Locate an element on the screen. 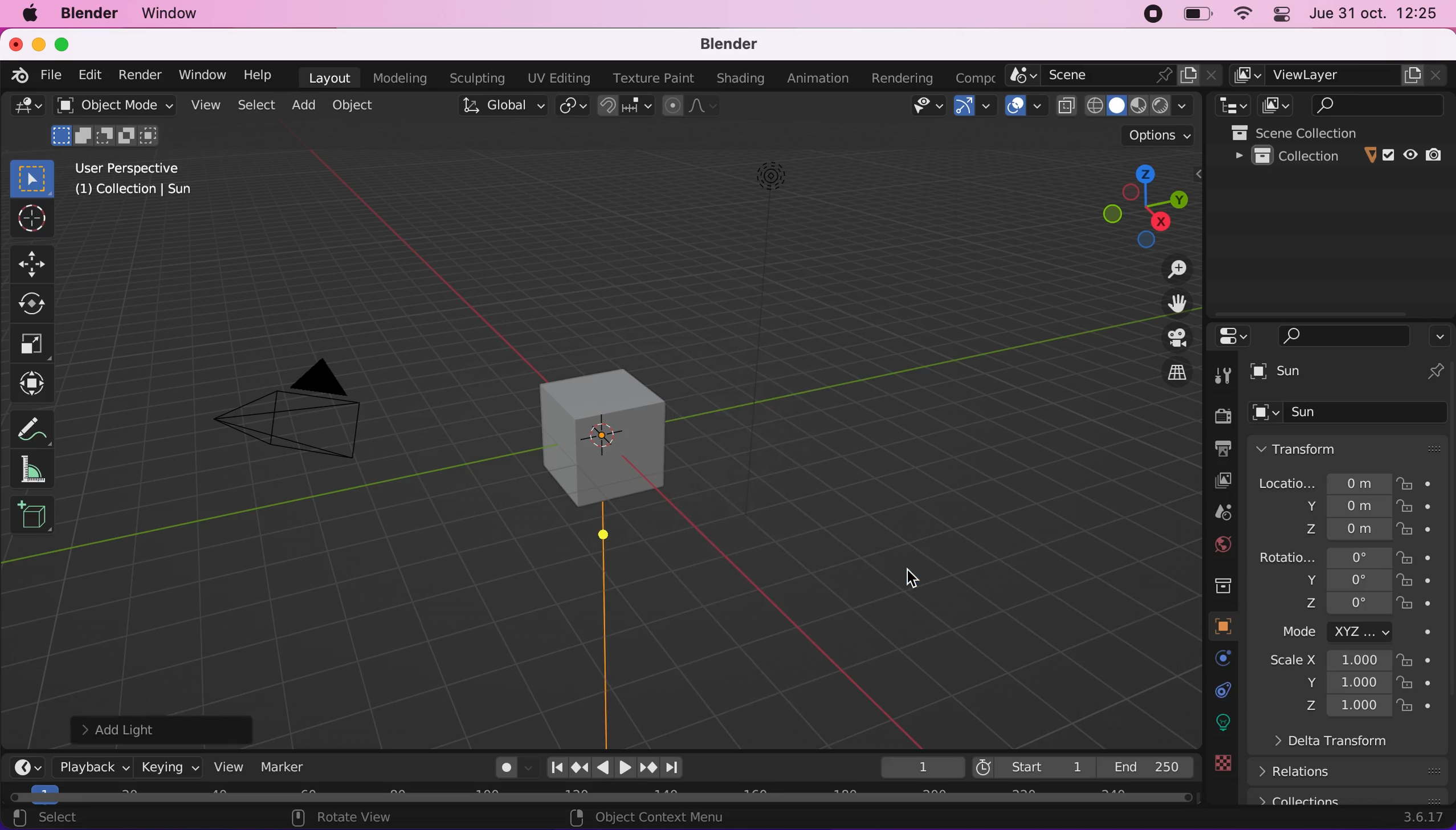 The height and width of the screenshot is (830, 1456). transformation orientation is located at coordinates (505, 105).